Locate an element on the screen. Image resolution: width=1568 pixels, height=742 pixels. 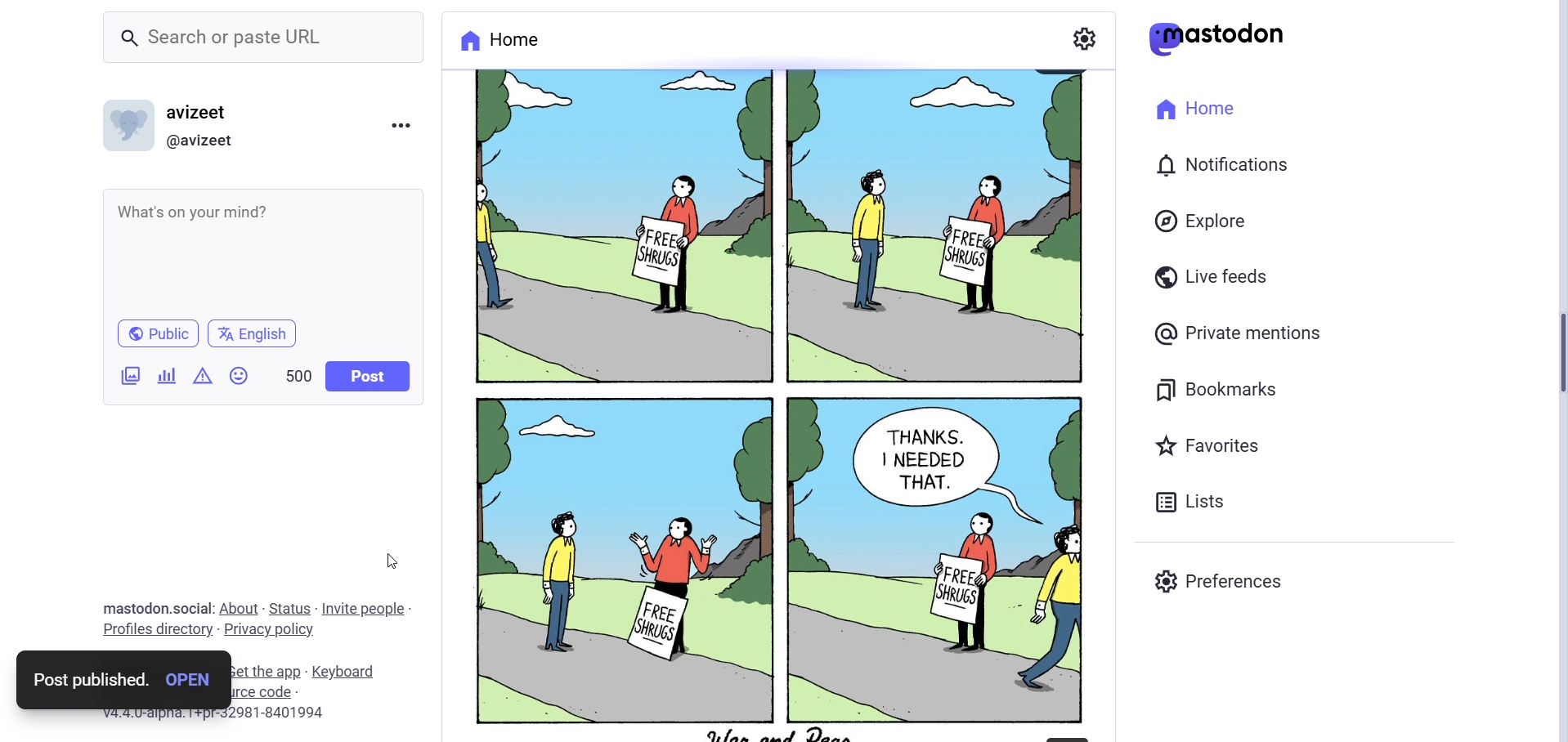
Invite People is located at coordinates (369, 610).